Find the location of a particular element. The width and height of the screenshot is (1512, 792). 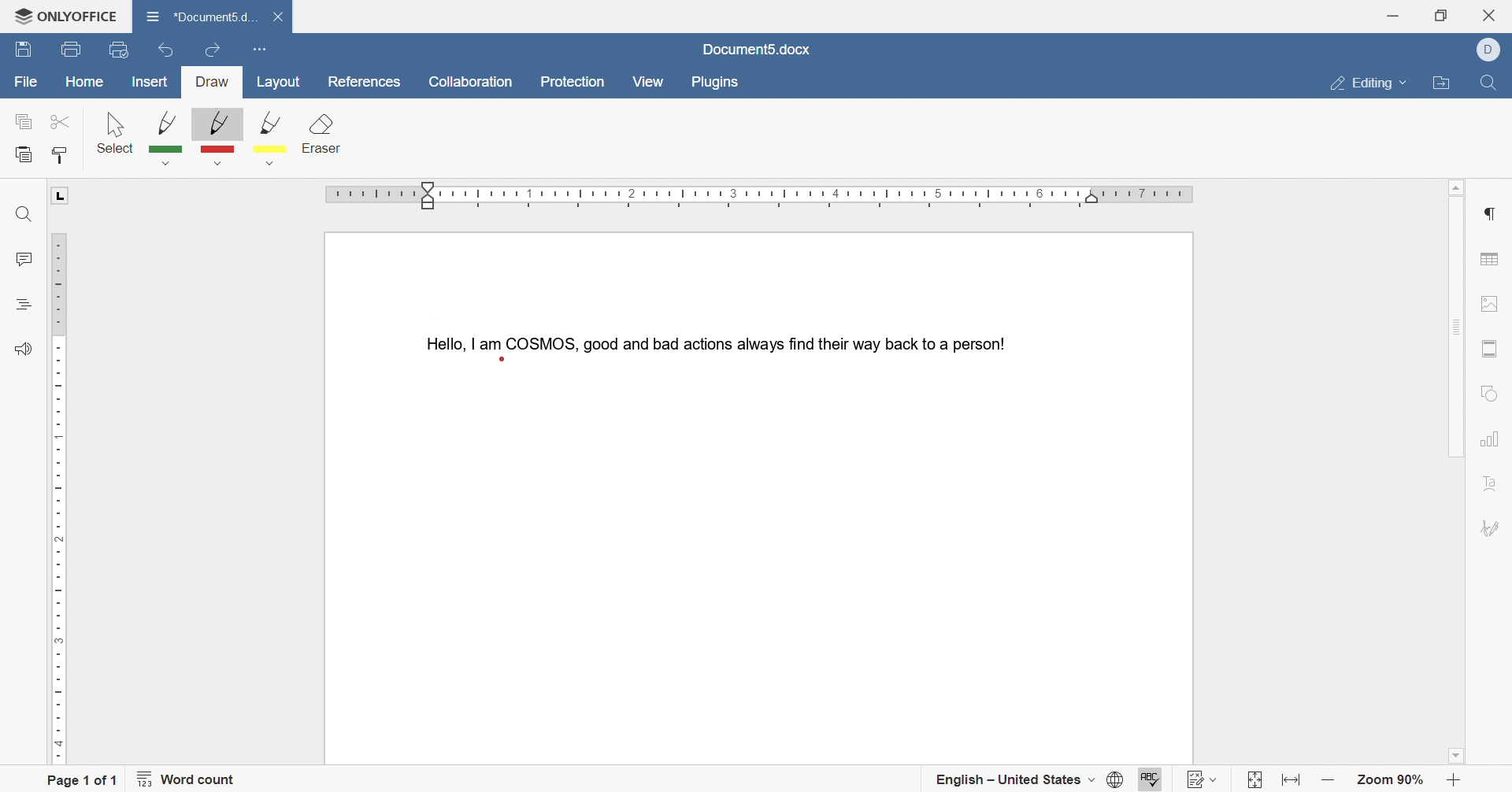

headings is located at coordinates (24, 302).